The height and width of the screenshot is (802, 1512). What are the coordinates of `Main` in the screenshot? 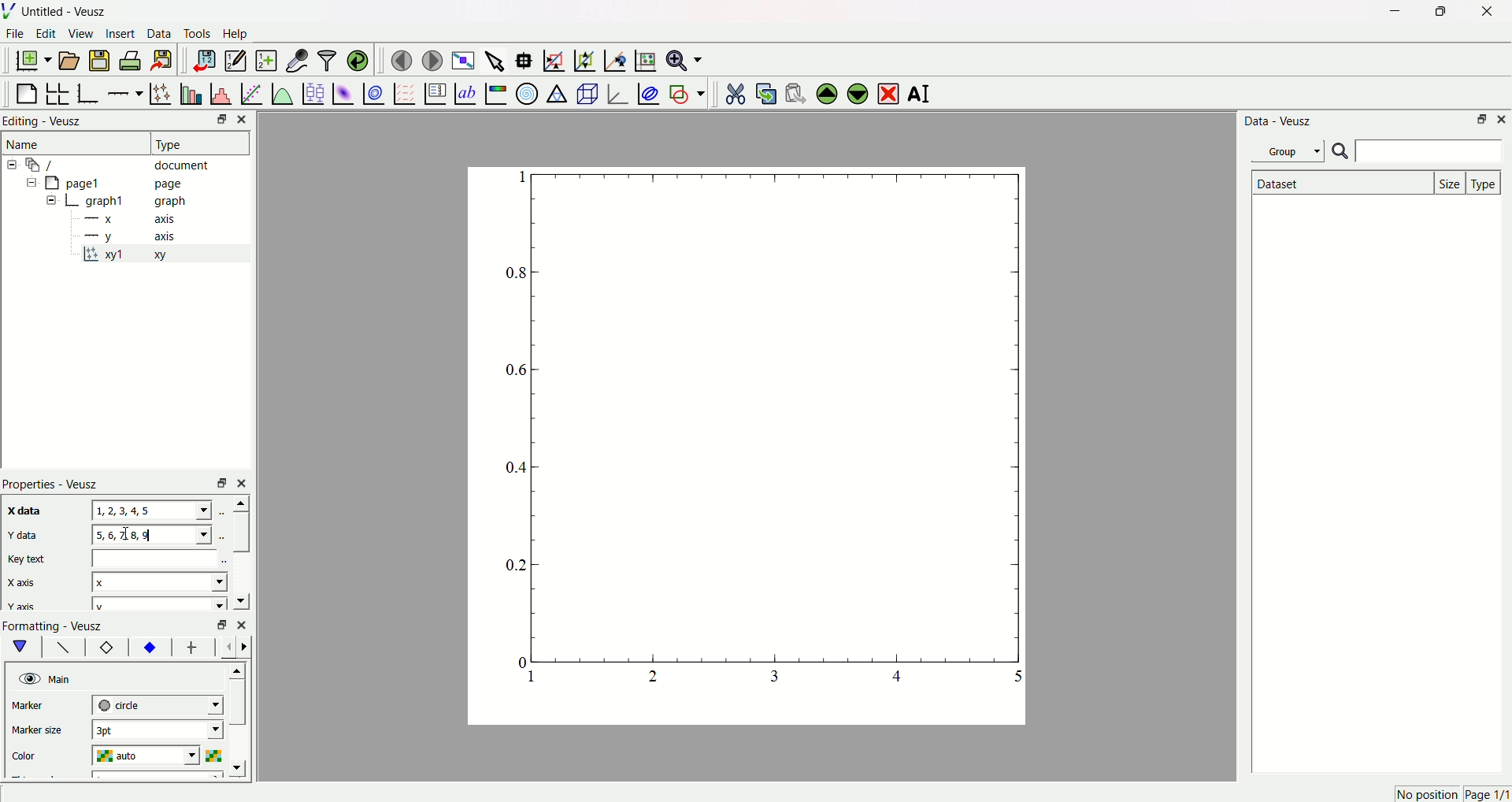 It's located at (62, 678).